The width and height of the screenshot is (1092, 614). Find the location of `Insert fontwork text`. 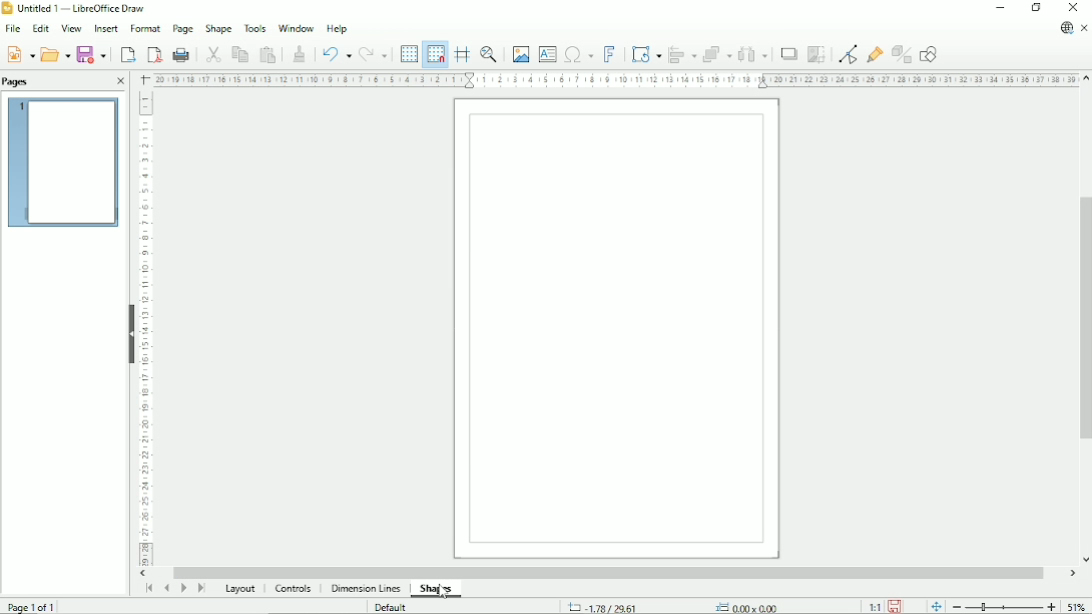

Insert fontwork text is located at coordinates (610, 53).